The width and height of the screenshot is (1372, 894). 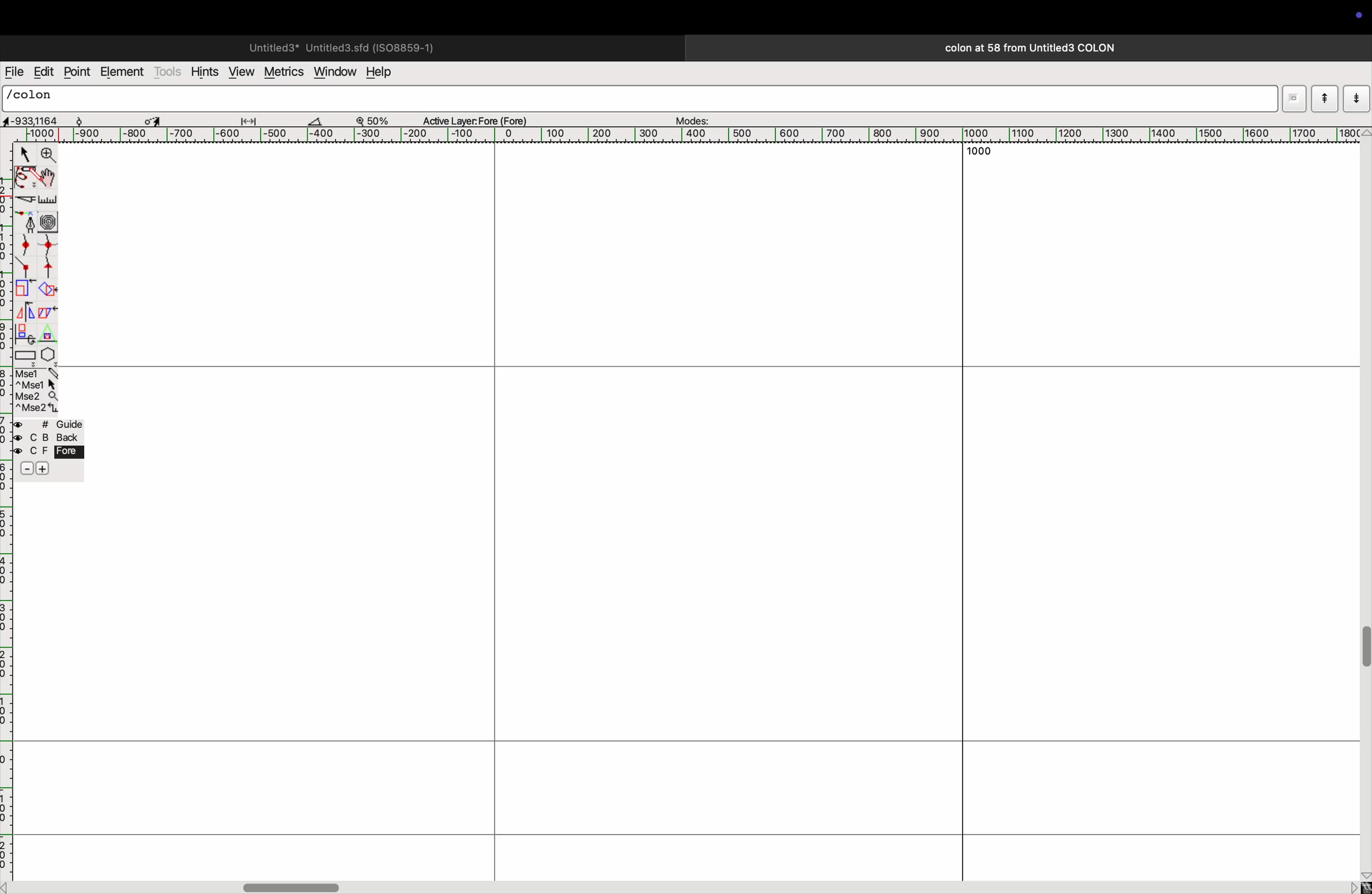 I want to click on mirror, so click(x=28, y=311).